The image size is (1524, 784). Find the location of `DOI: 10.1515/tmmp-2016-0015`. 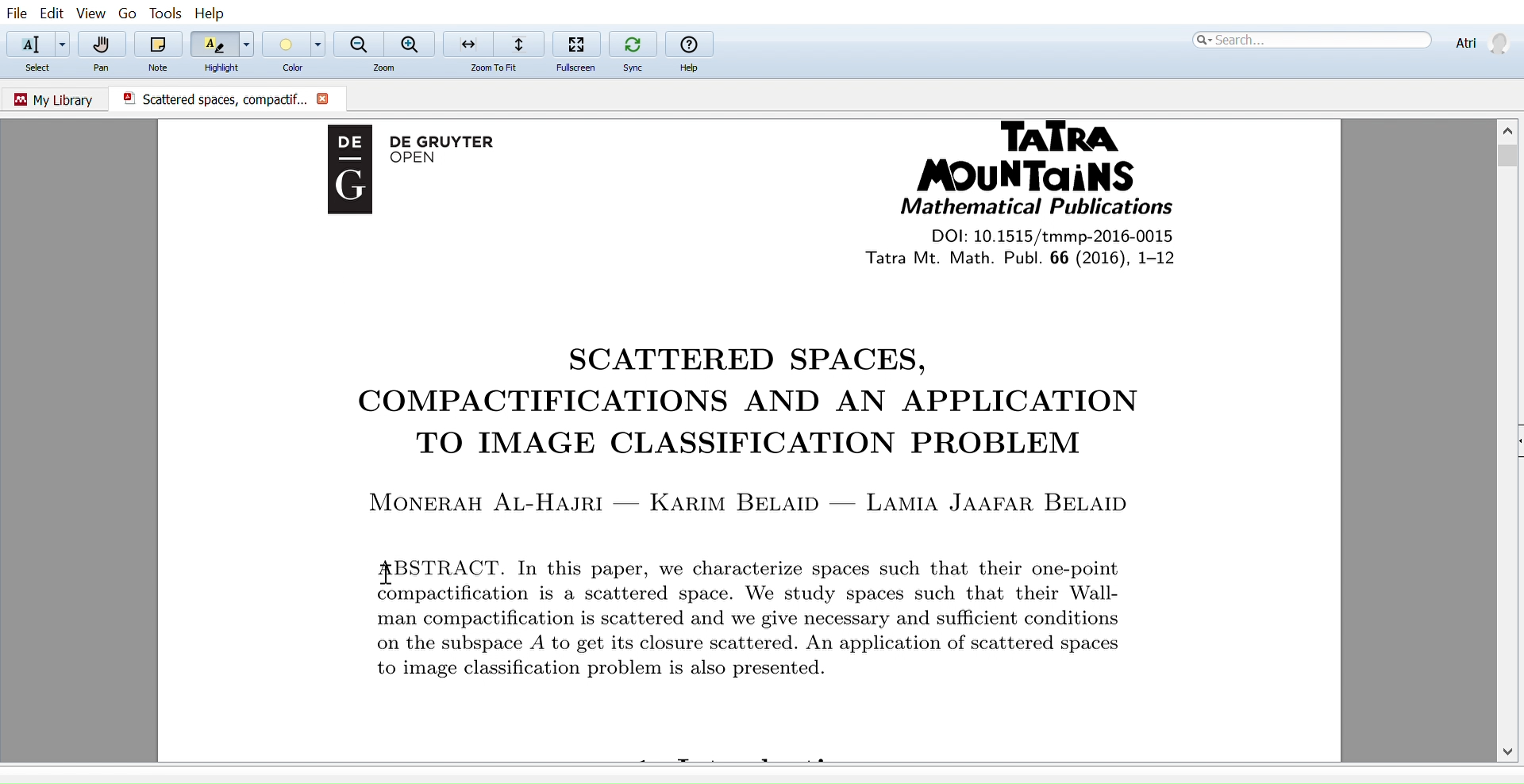

DOI: 10.1515/tmmp-2016-0015 is located at coordinates (1046, 235).